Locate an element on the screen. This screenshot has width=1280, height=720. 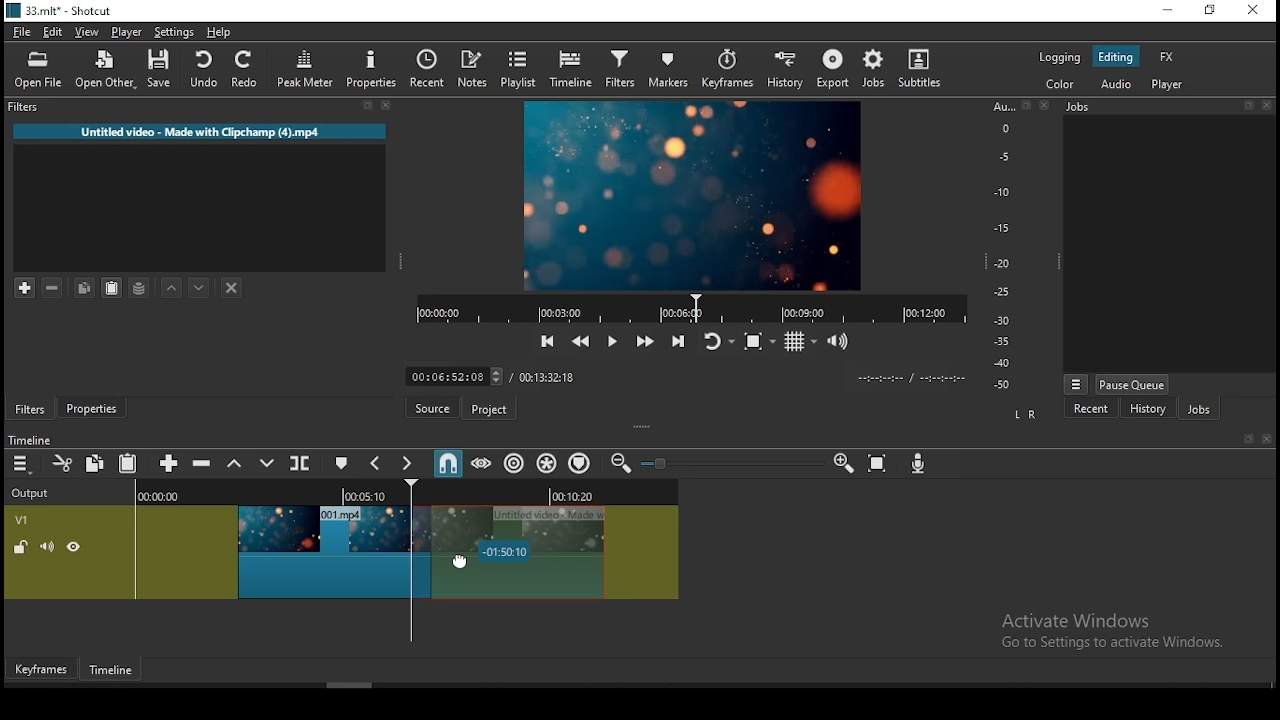
elapsed time is located at coordinates (455, 374).